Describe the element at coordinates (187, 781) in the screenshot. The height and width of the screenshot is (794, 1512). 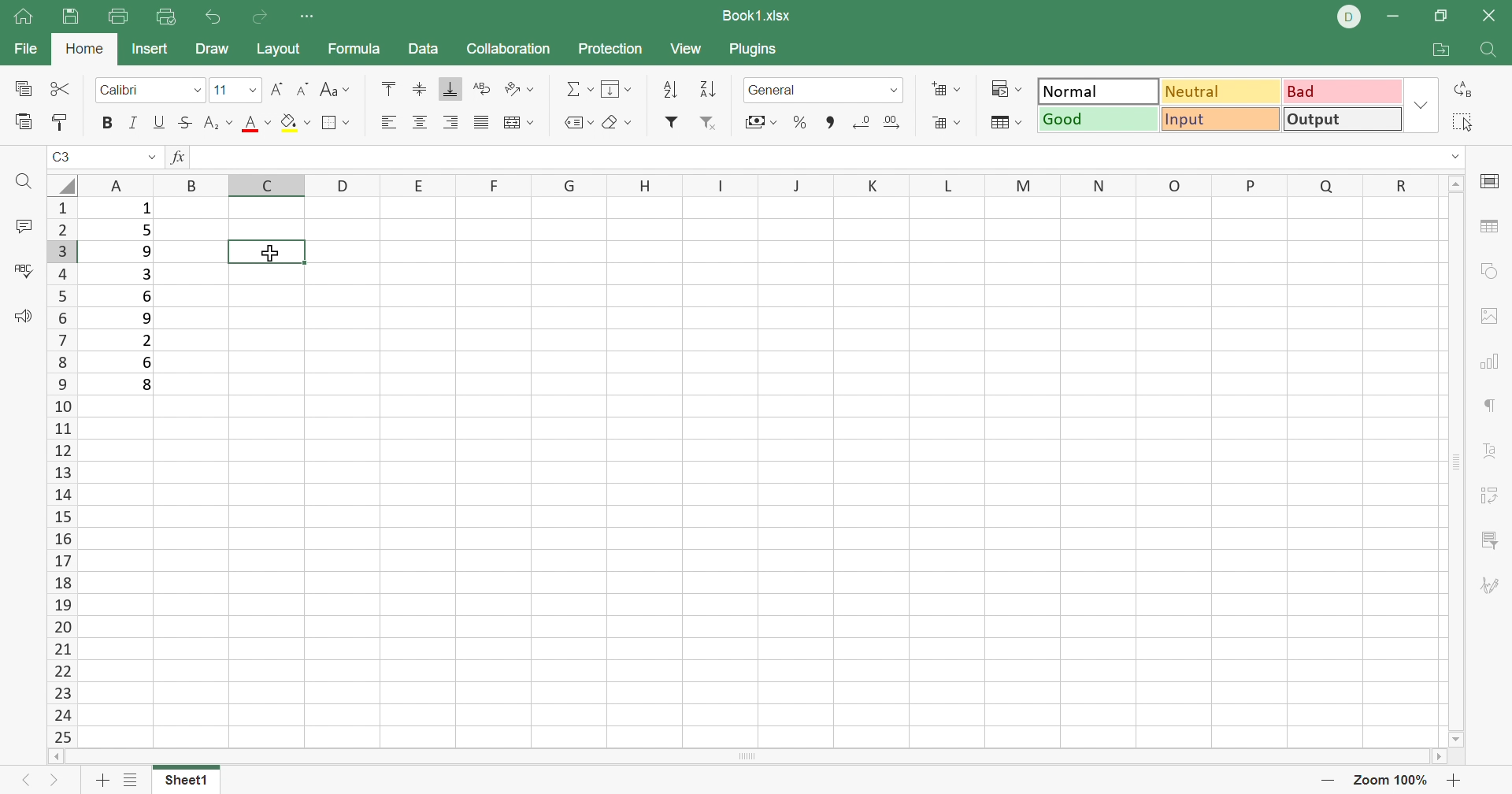
I see `Sheet1` at that location.